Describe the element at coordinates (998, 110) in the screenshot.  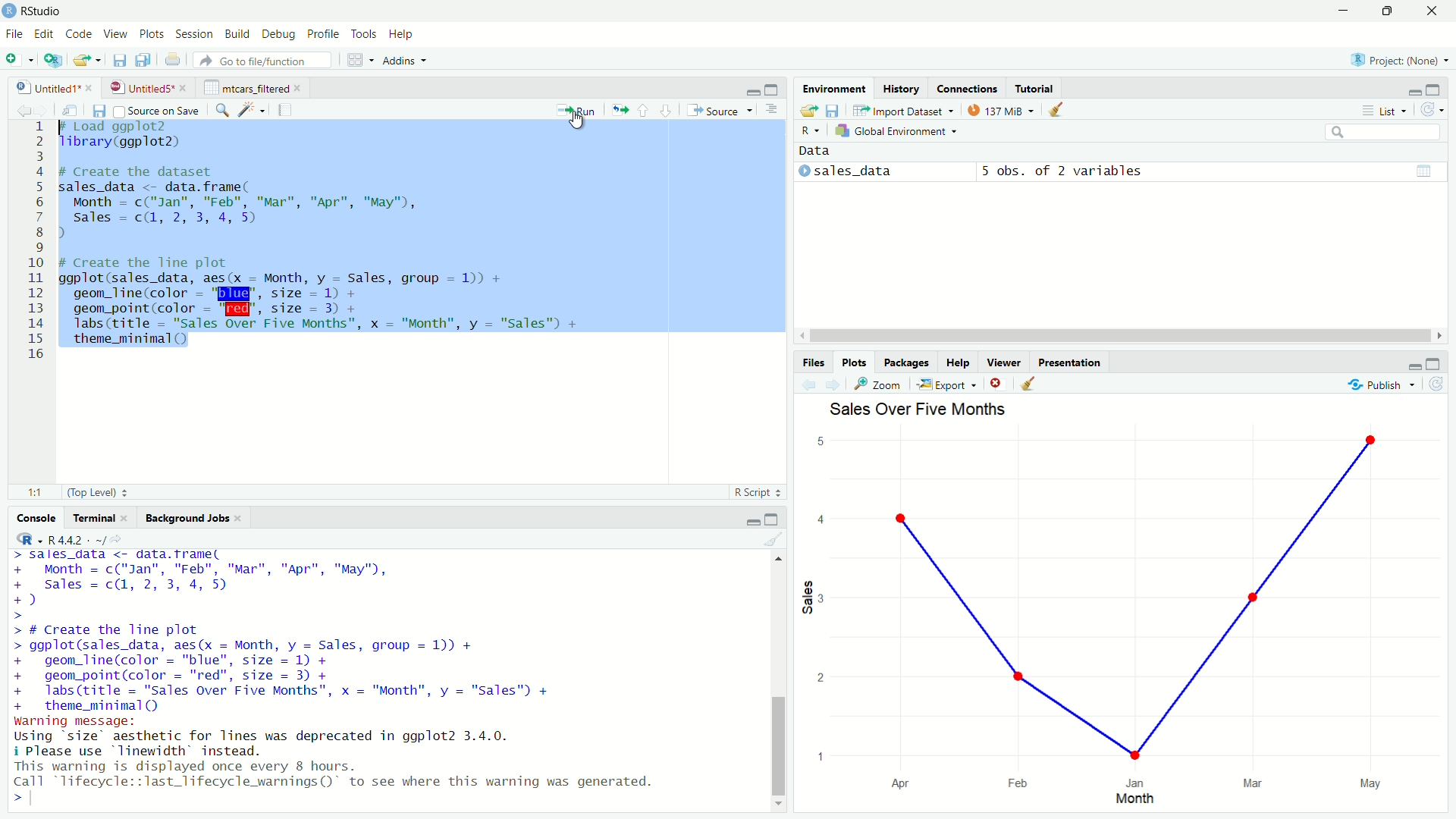
I see `137MB` at that location.